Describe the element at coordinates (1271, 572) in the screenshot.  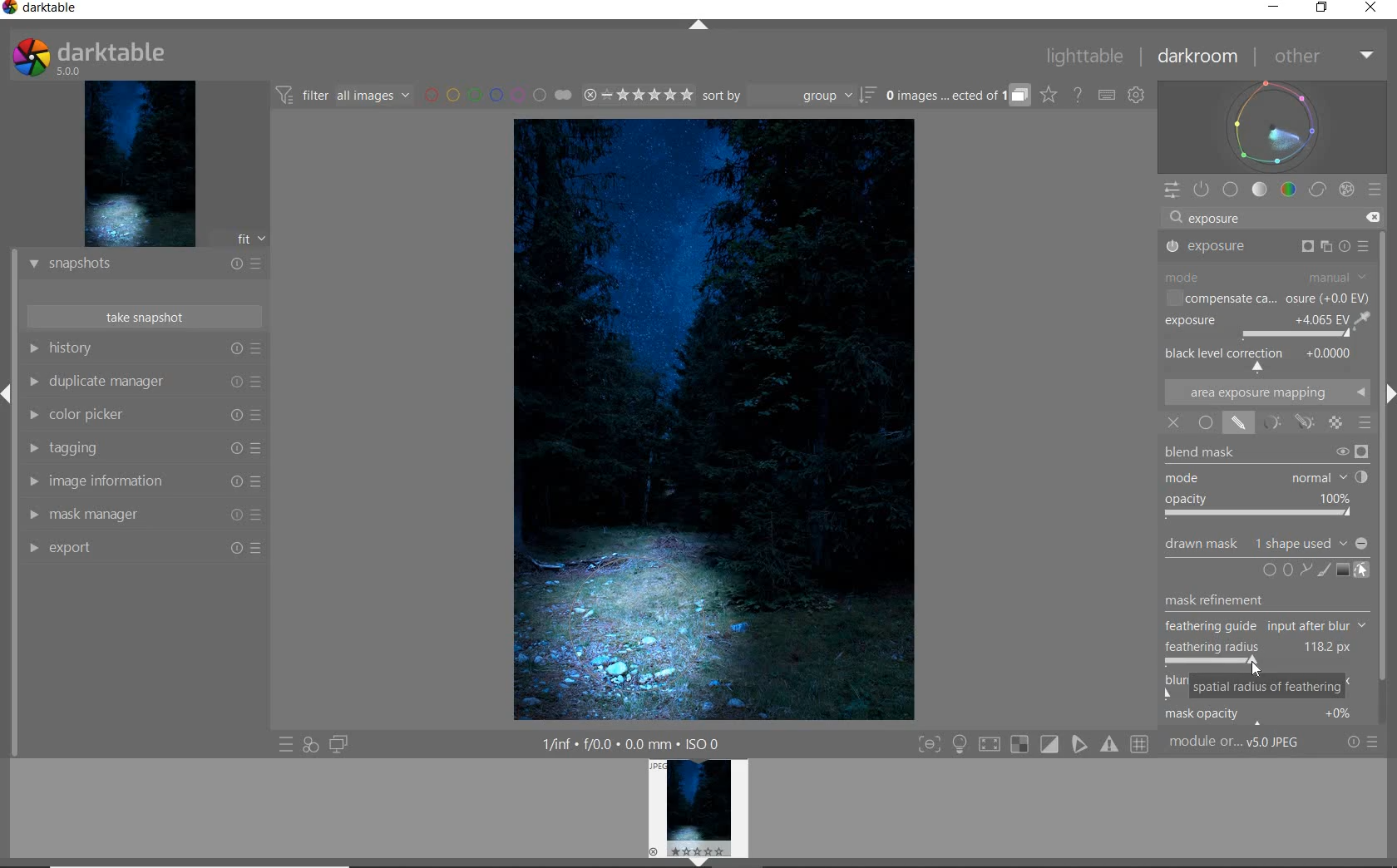
I see `ADD CIRCLE` at that location.